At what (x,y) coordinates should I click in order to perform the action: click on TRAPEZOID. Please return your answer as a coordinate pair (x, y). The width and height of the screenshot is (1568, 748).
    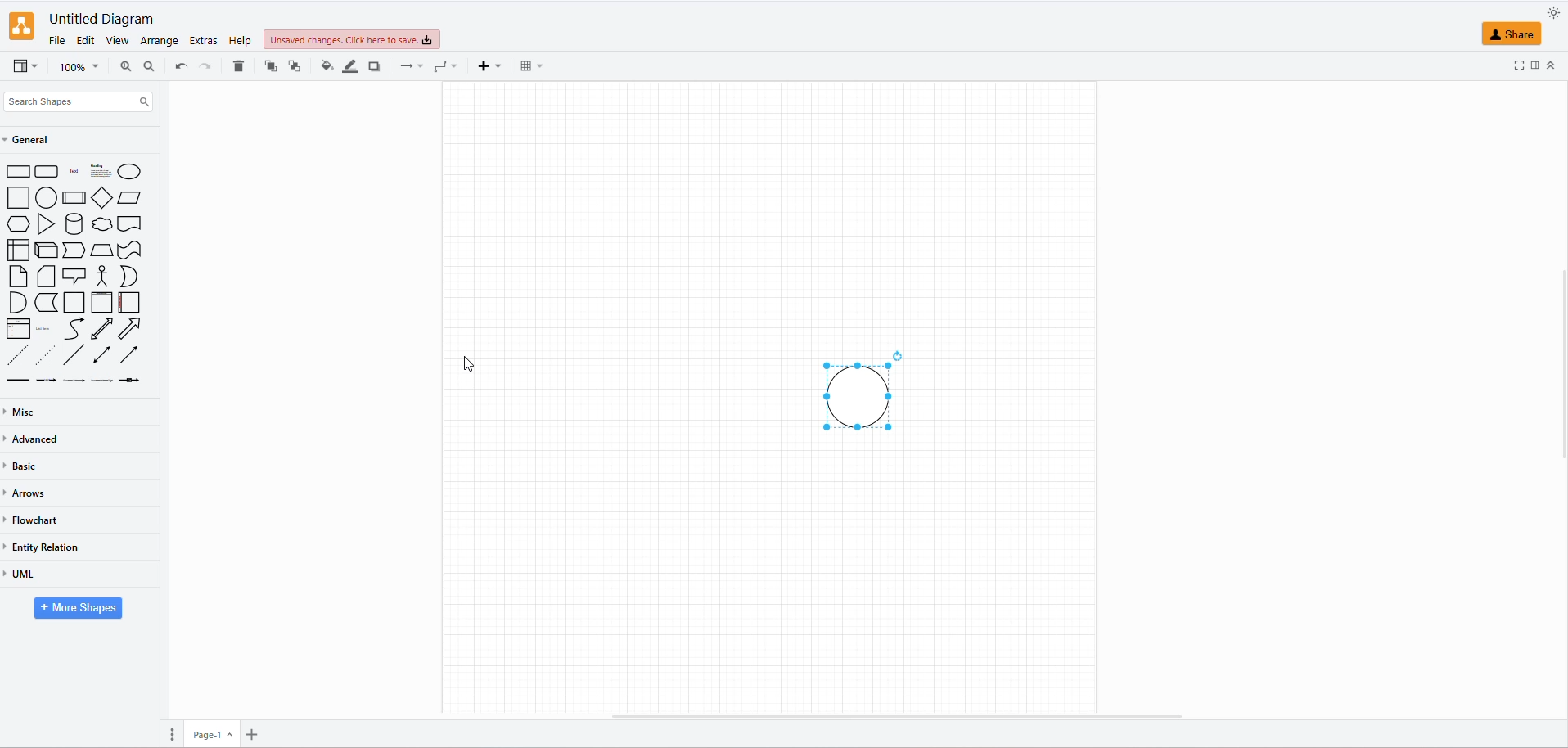
    Looking at the image, I should click on (103, 250).